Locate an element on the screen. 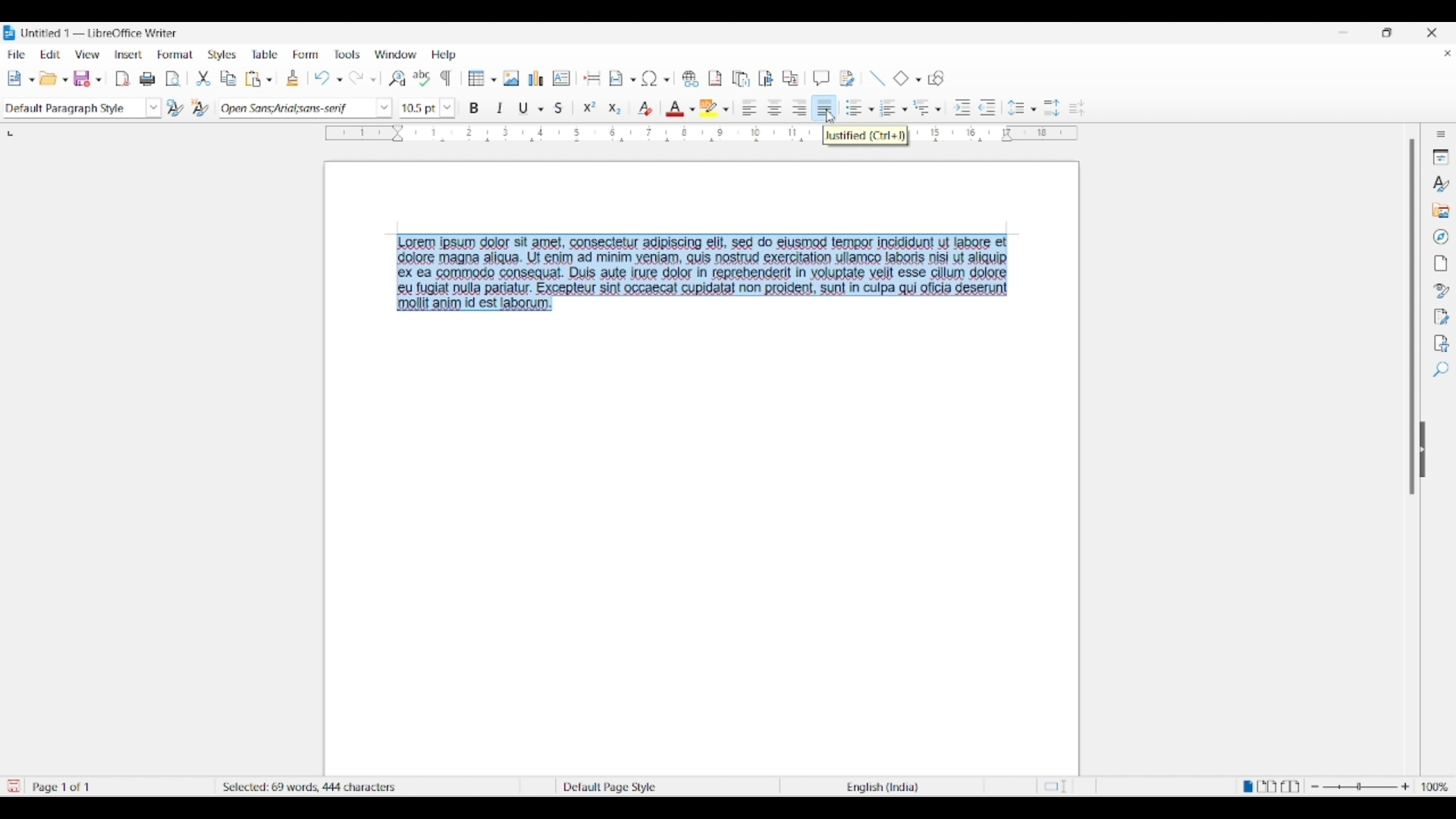 This screenshot has width=1456, height=819. Insert field options is located at coordinates (634, 80).